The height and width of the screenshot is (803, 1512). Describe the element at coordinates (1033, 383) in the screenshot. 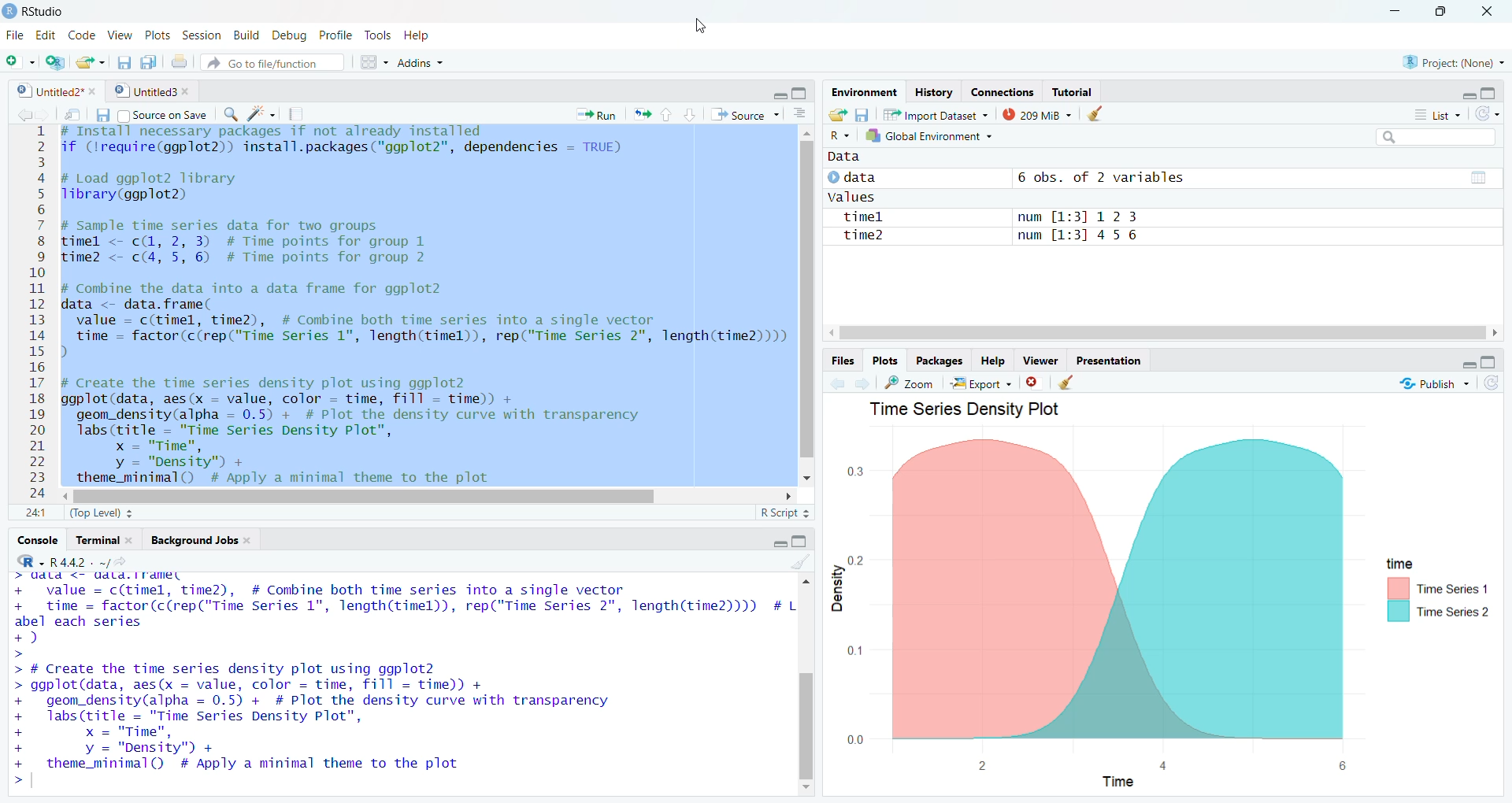

I see `Delete` at that location.